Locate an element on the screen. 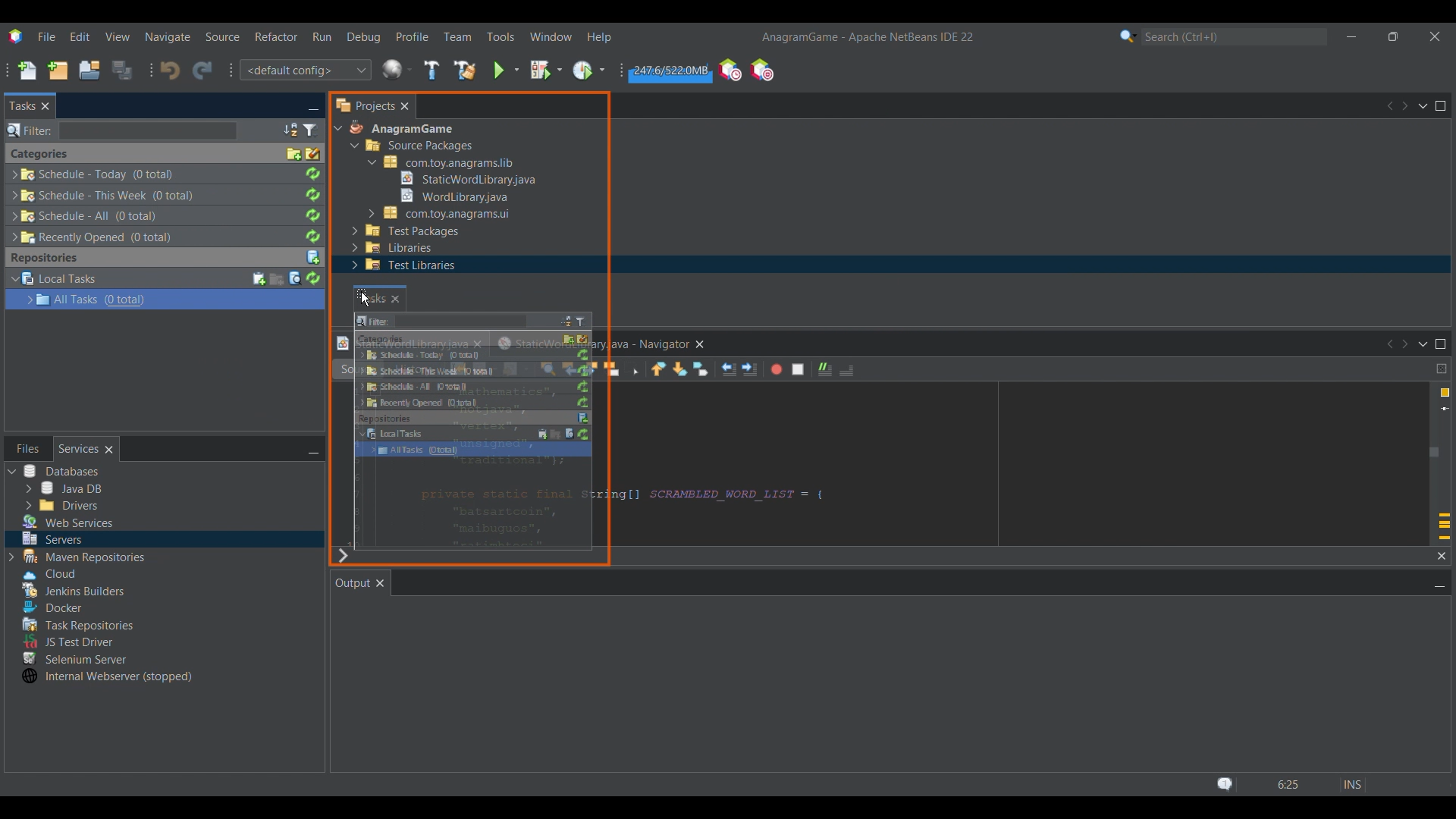  Close interface is located at coordinates (1435, 36).